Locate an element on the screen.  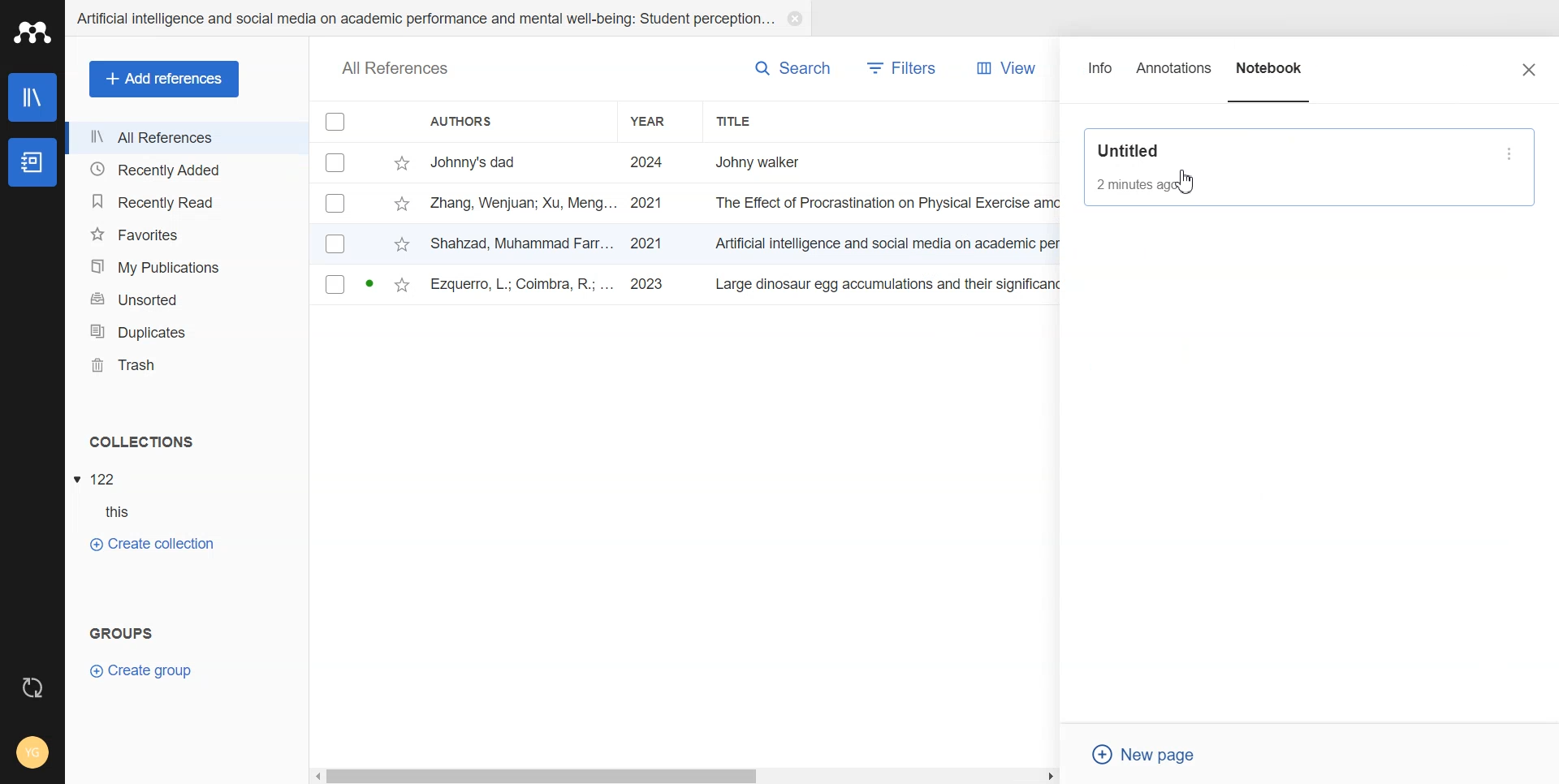
View is located at coordinates (1001, 68).